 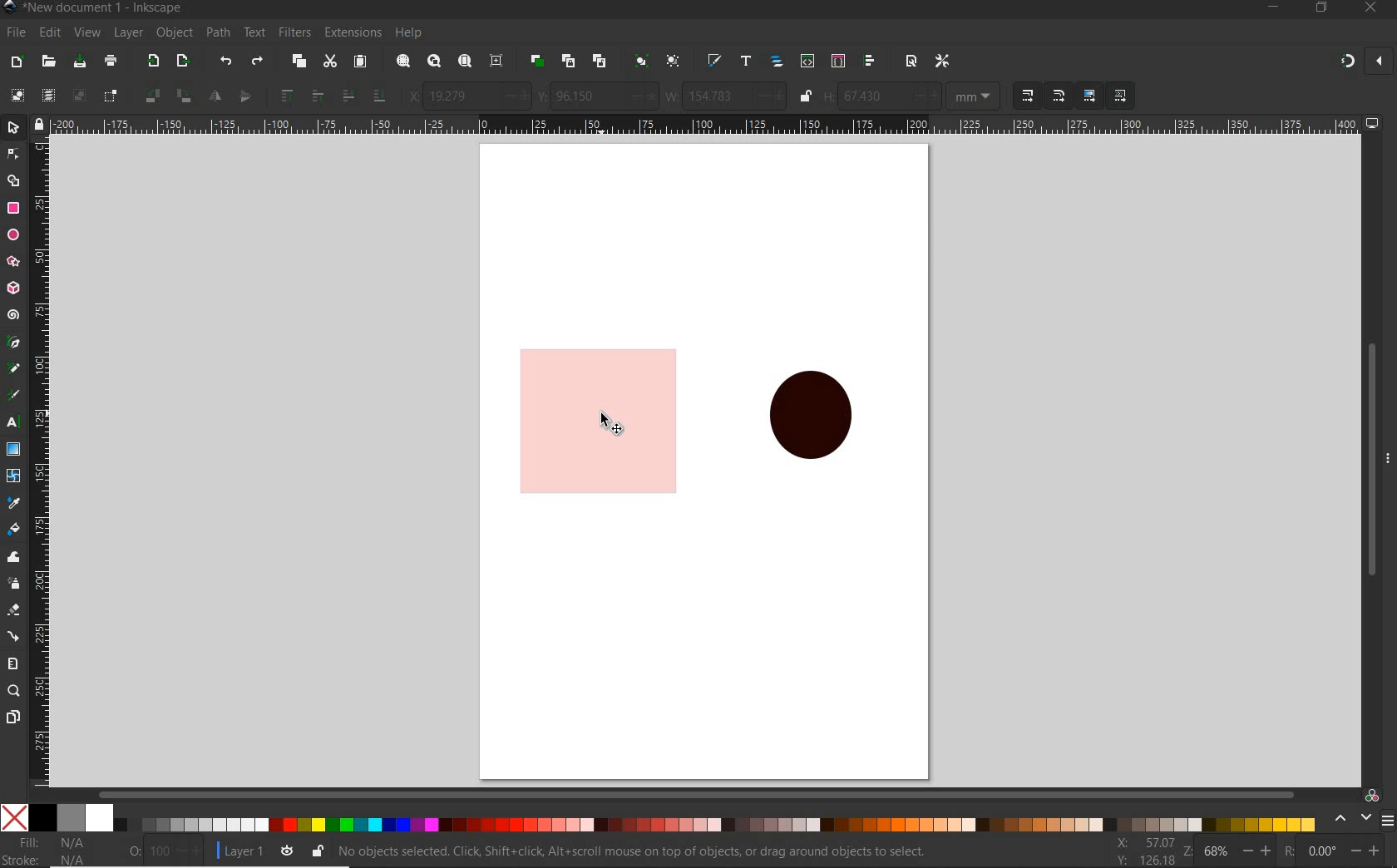 What do you see at coordinates (596, 96) in the screenshot?
I see `vertical coordinates  of selection` at bounding box center [596, 96].